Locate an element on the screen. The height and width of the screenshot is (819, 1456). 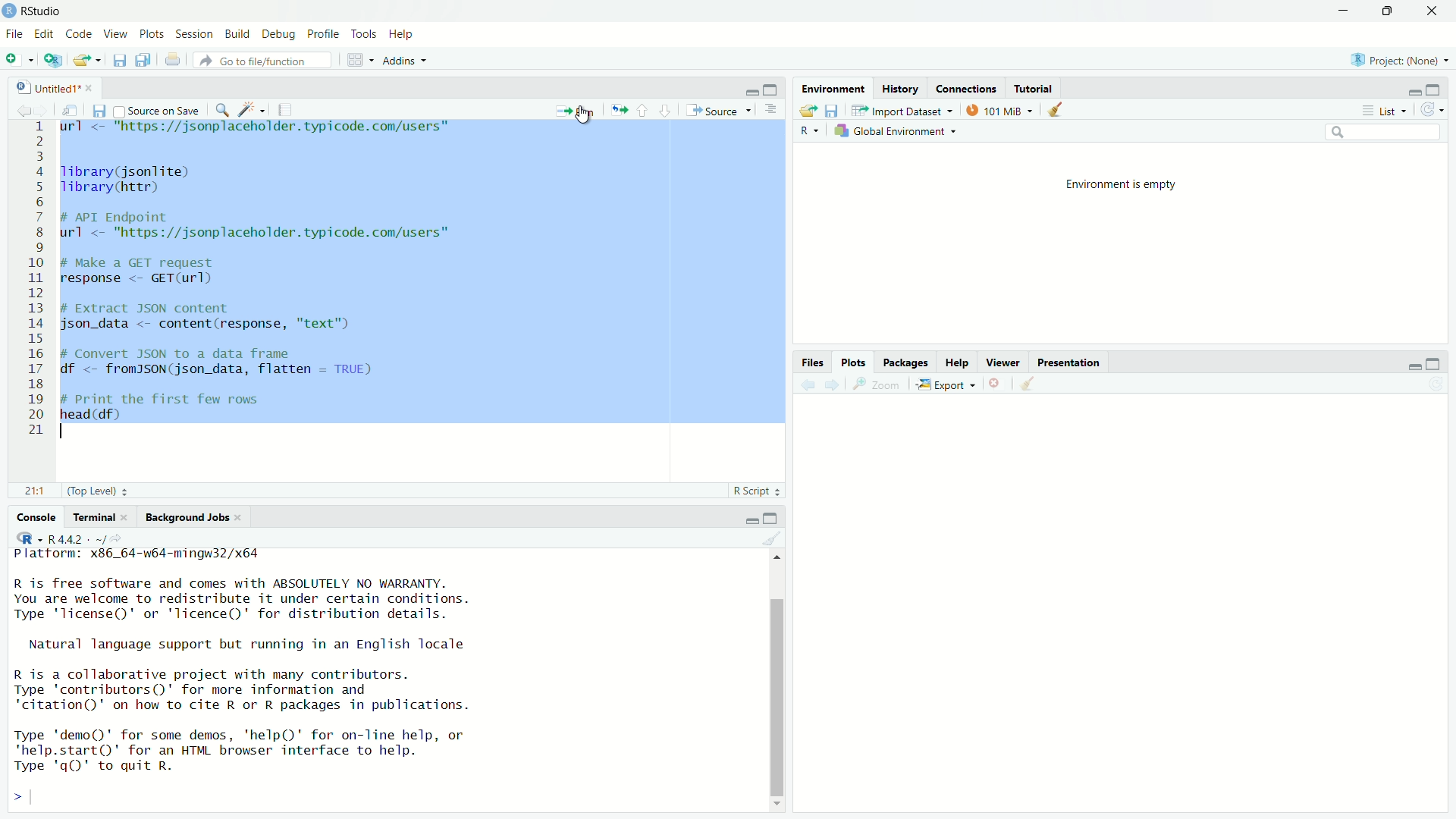
Rows is located at coordinates (35, 278).